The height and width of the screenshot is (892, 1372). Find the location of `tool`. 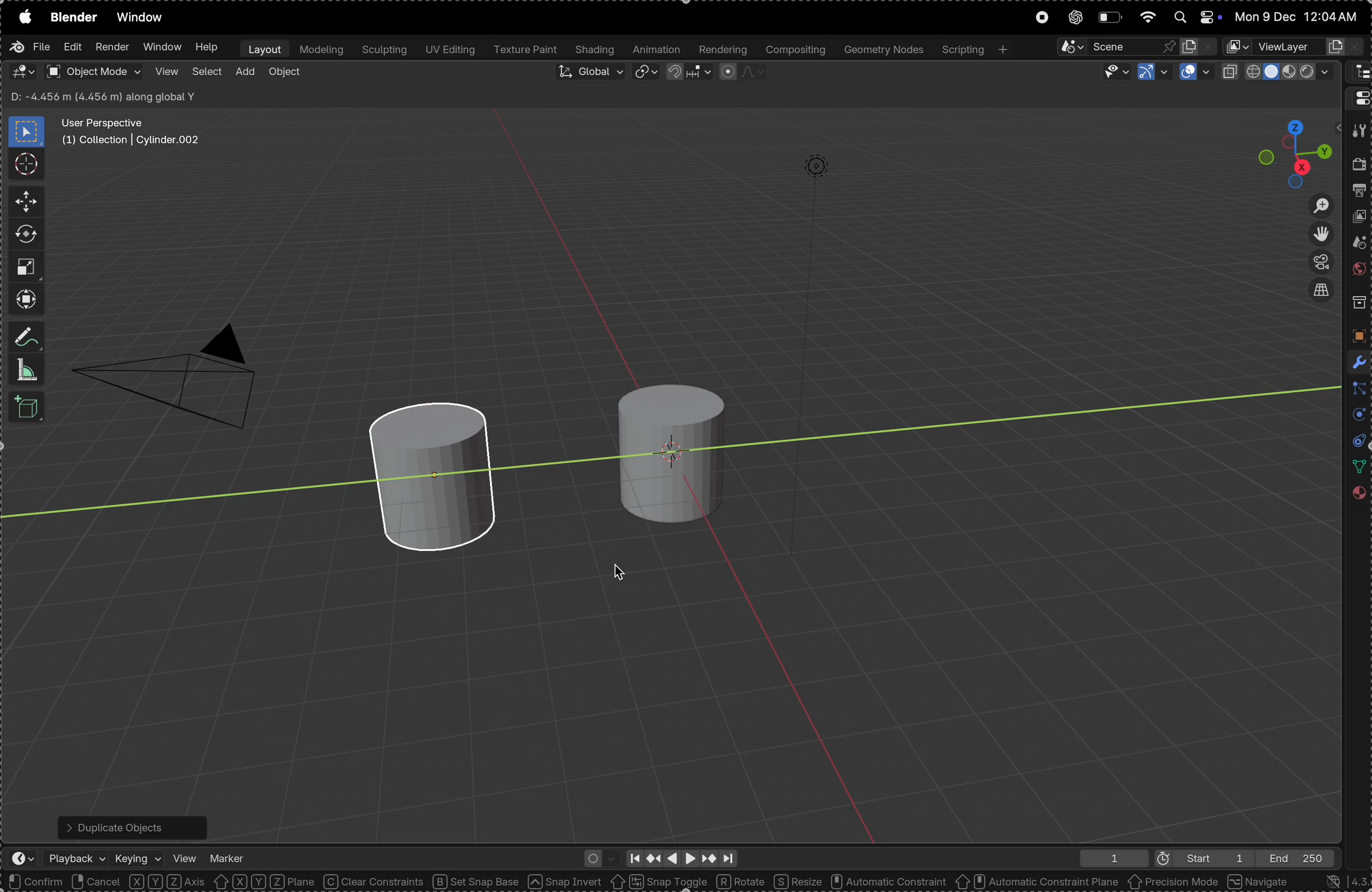

tool is located at coordinates (1358, 131).